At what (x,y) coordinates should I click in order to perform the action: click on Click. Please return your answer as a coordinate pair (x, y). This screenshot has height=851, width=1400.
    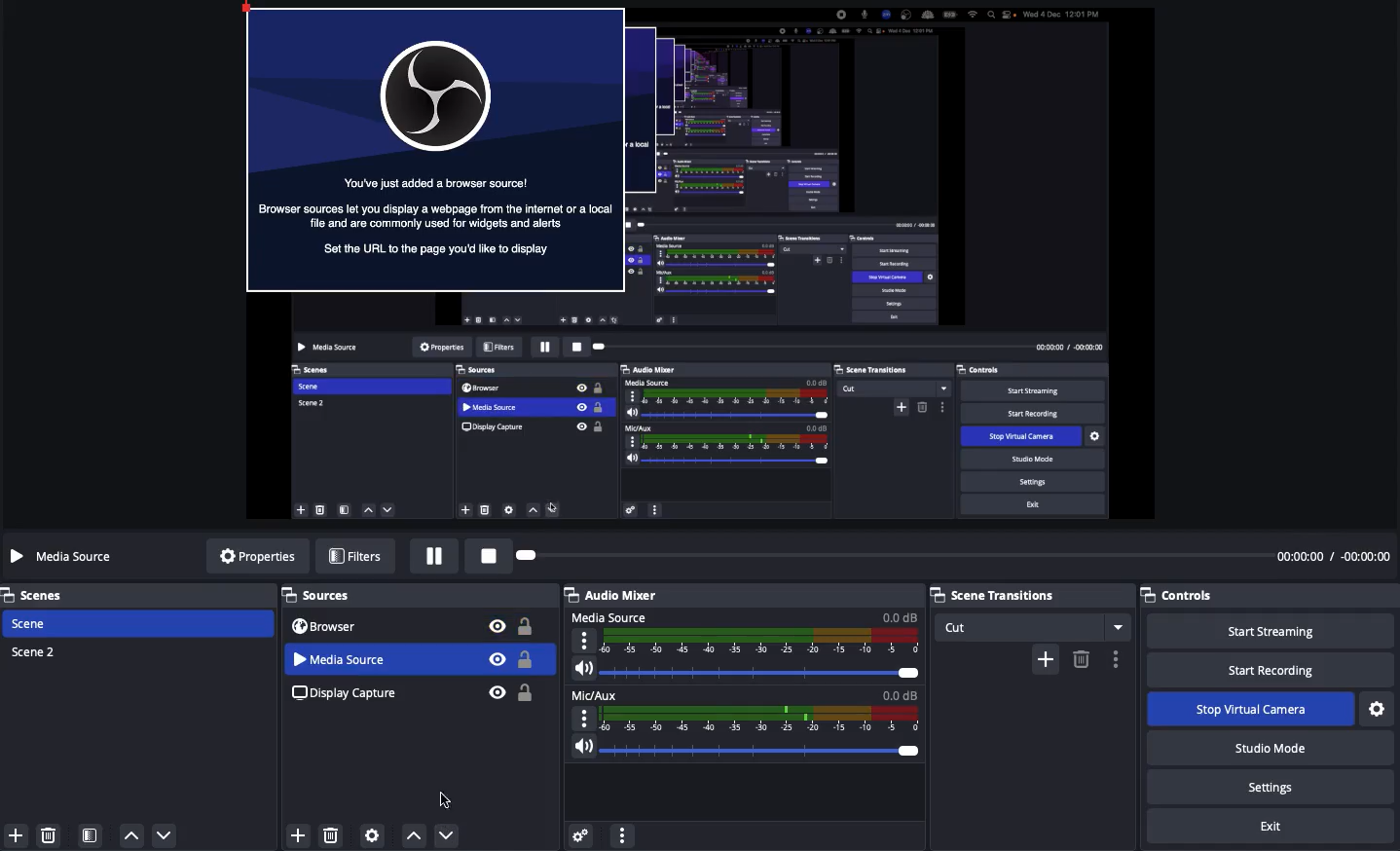
    Looking at the image, I should click on (447, 835).